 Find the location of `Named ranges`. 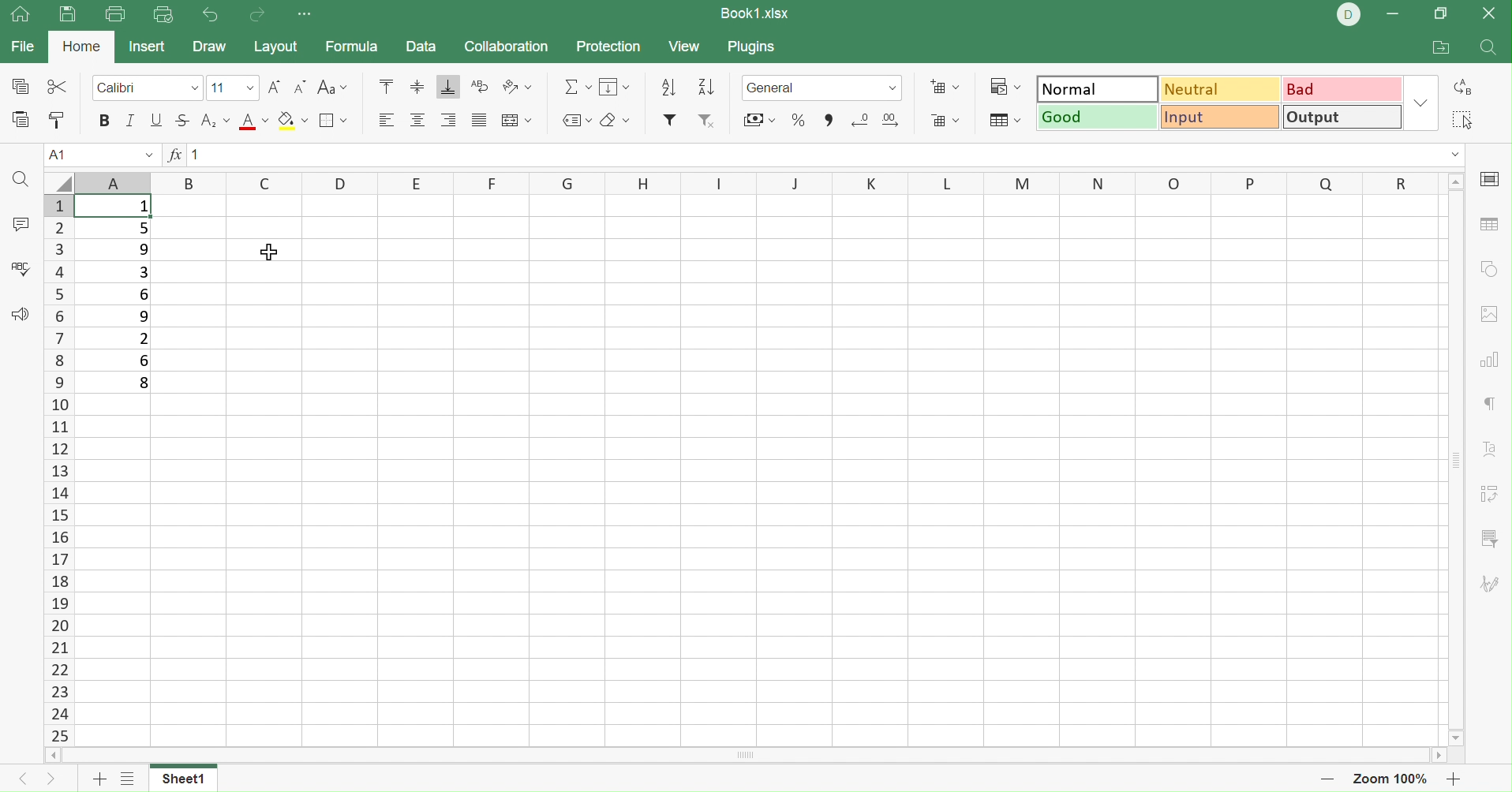

Named ranges is located at coordinates (574, 120).